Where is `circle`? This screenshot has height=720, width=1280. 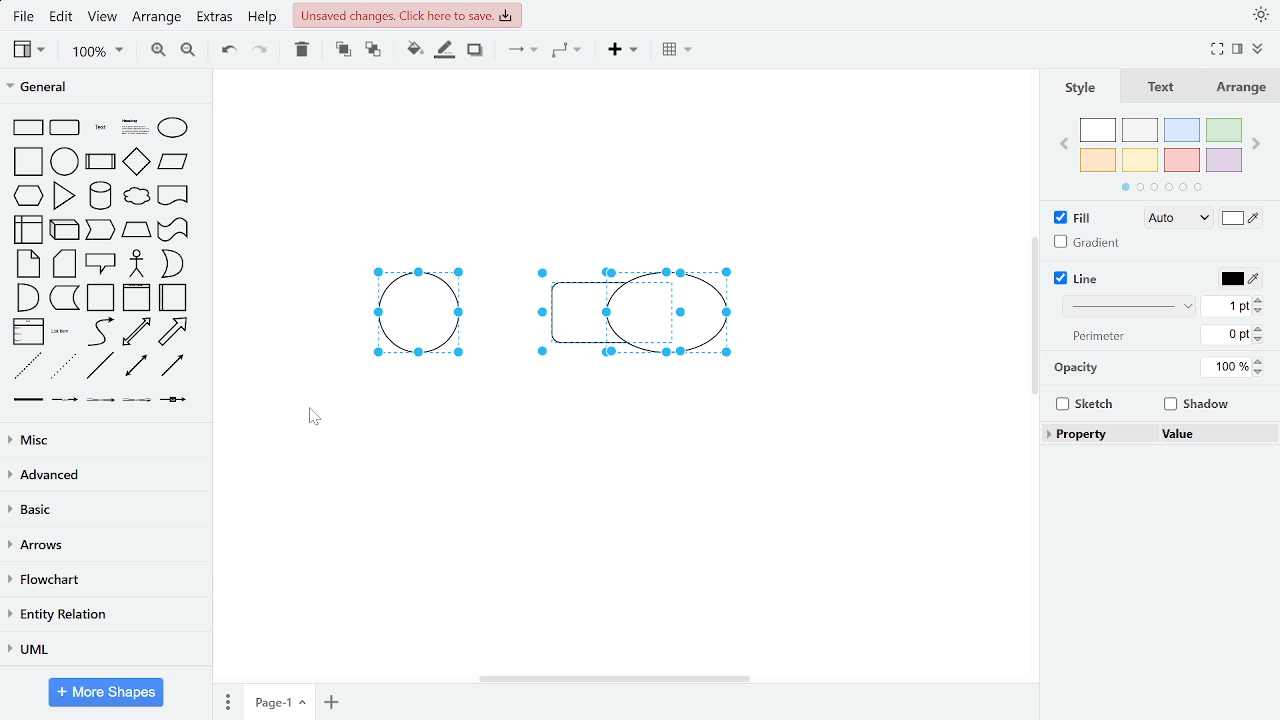 circle is located at coordinates (65, 161).